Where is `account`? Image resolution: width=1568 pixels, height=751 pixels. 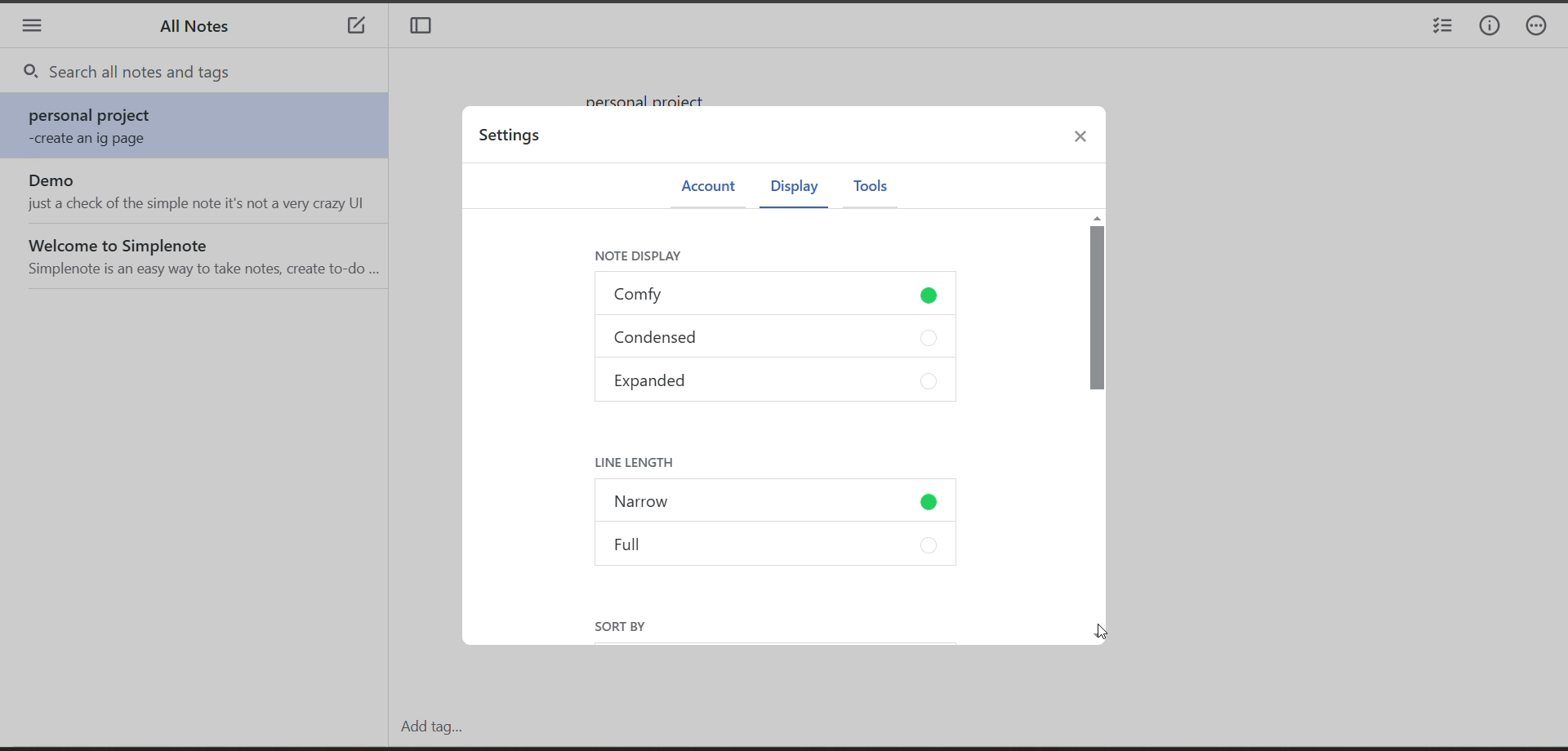 account is located at coordinates (706, 187).